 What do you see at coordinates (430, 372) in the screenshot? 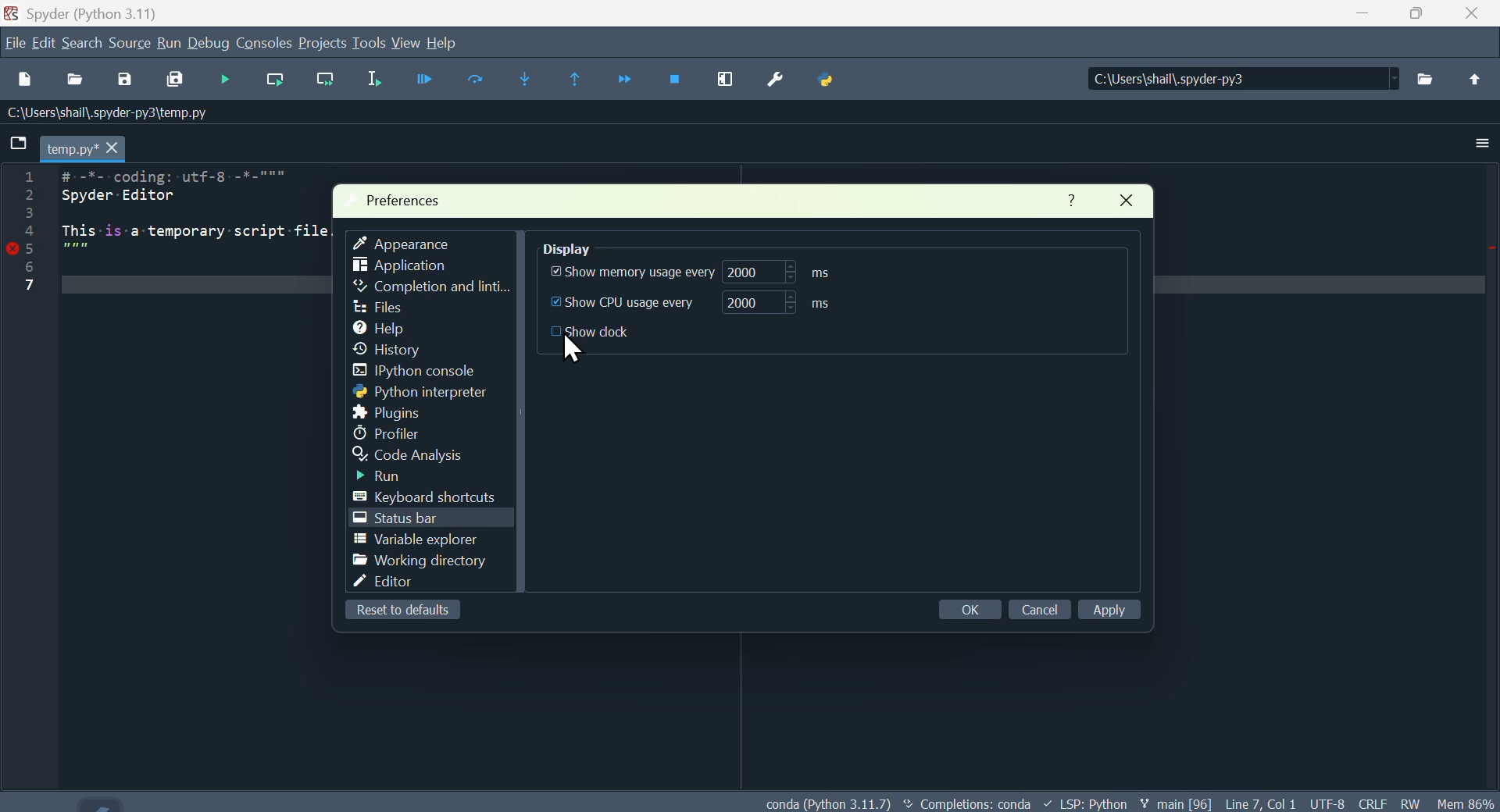
I see `I python console` at bounding box center [430, 372].